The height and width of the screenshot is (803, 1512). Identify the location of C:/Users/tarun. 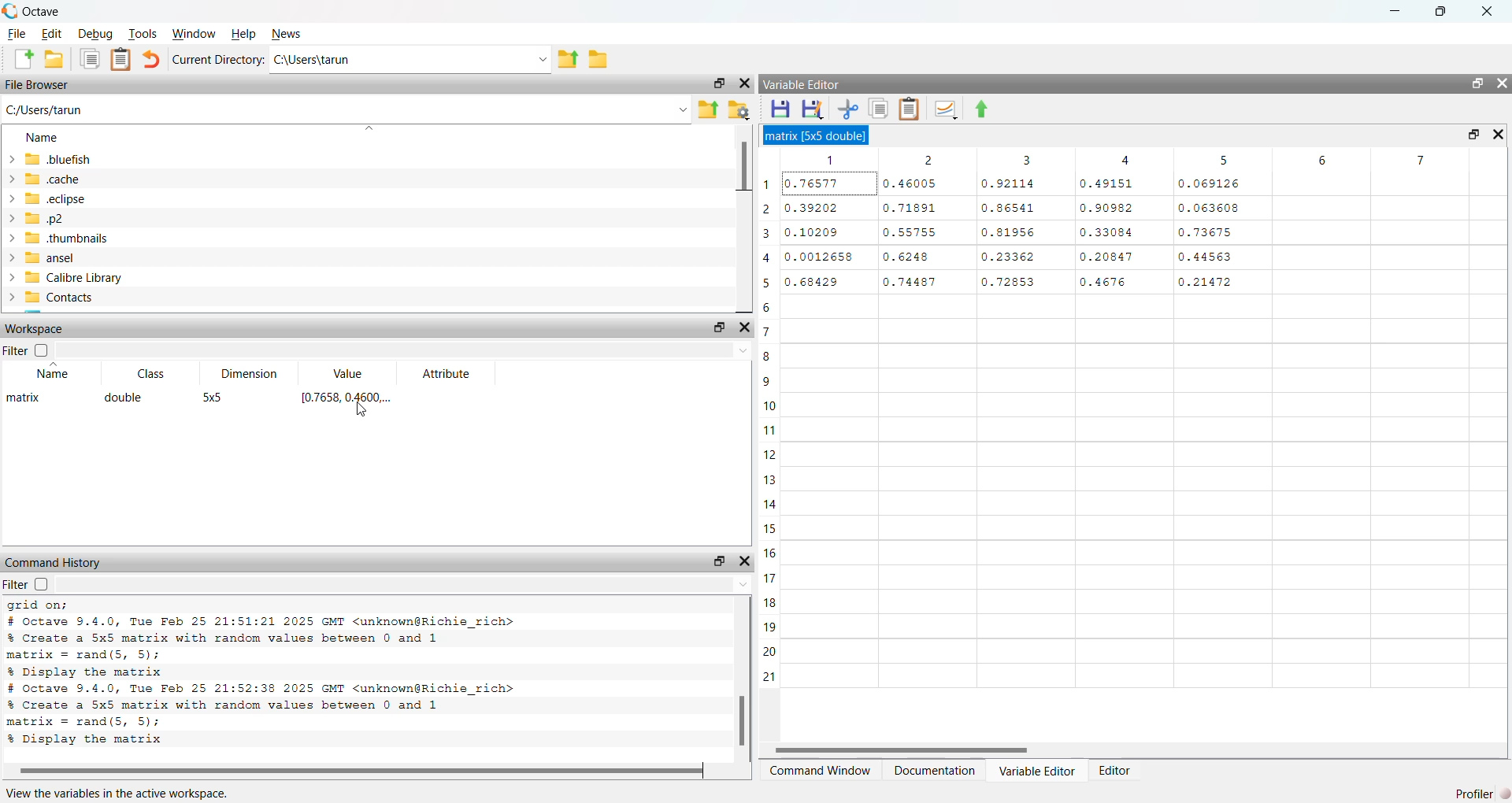
(55, 109).